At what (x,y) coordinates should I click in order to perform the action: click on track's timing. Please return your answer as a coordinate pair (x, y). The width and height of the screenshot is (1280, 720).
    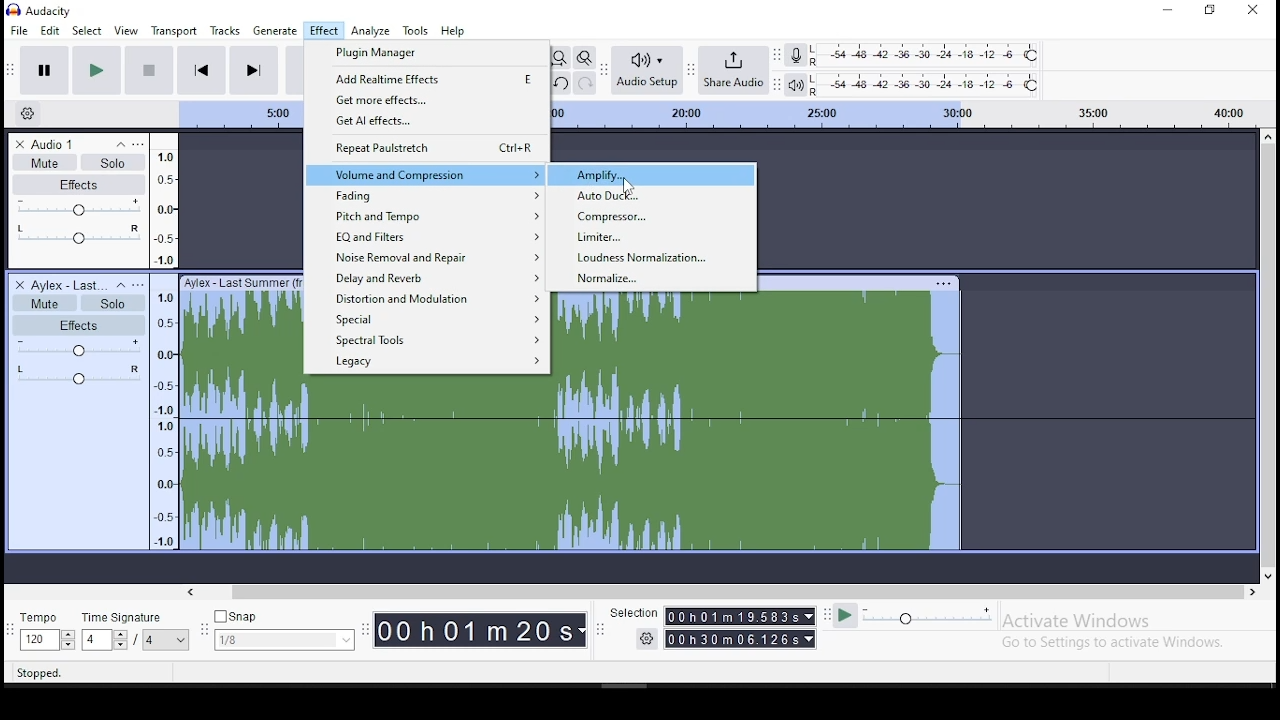
    Looking at the image, I should click on (900, 113).